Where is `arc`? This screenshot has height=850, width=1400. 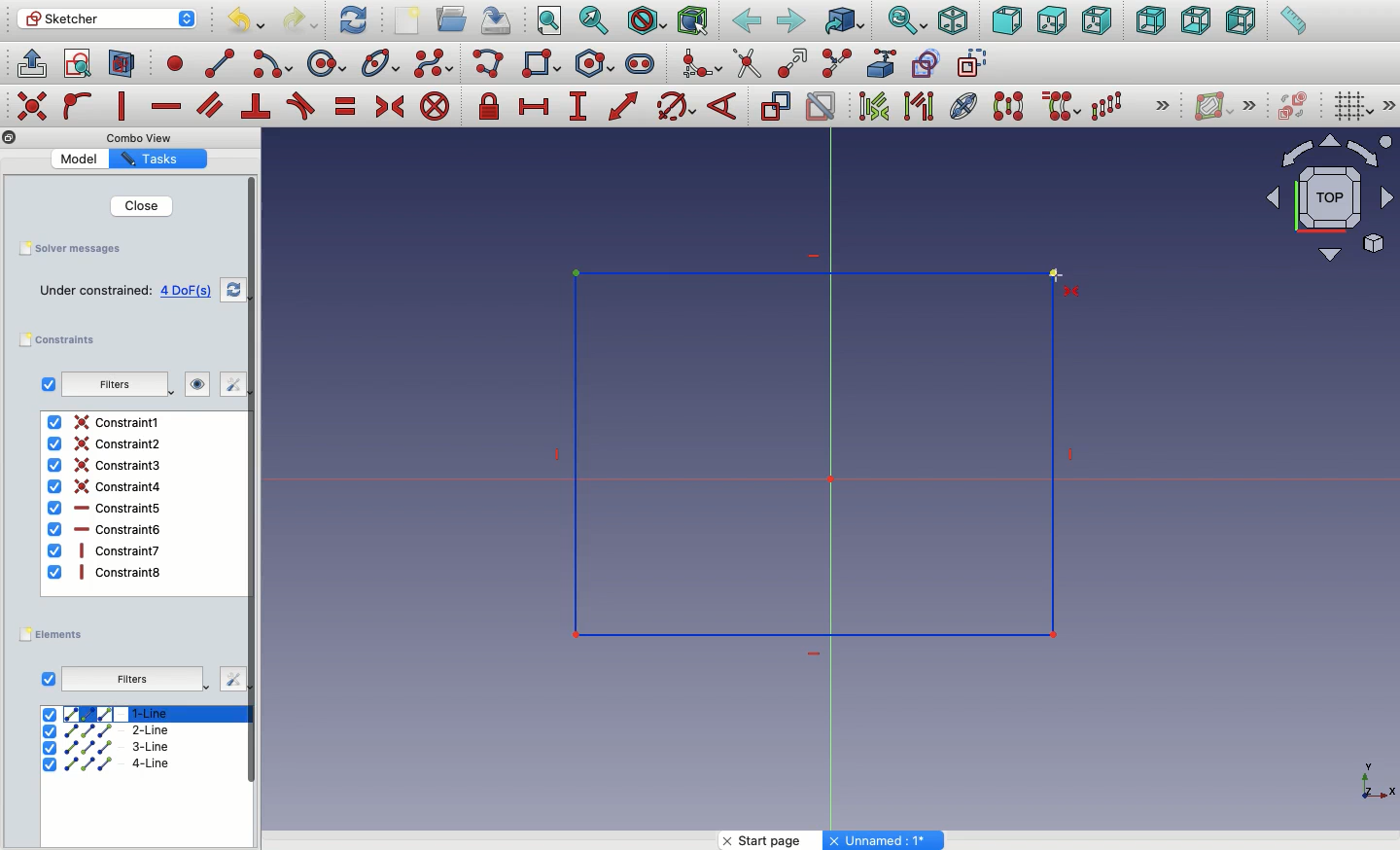
arc is located at coordinates (274, 64).